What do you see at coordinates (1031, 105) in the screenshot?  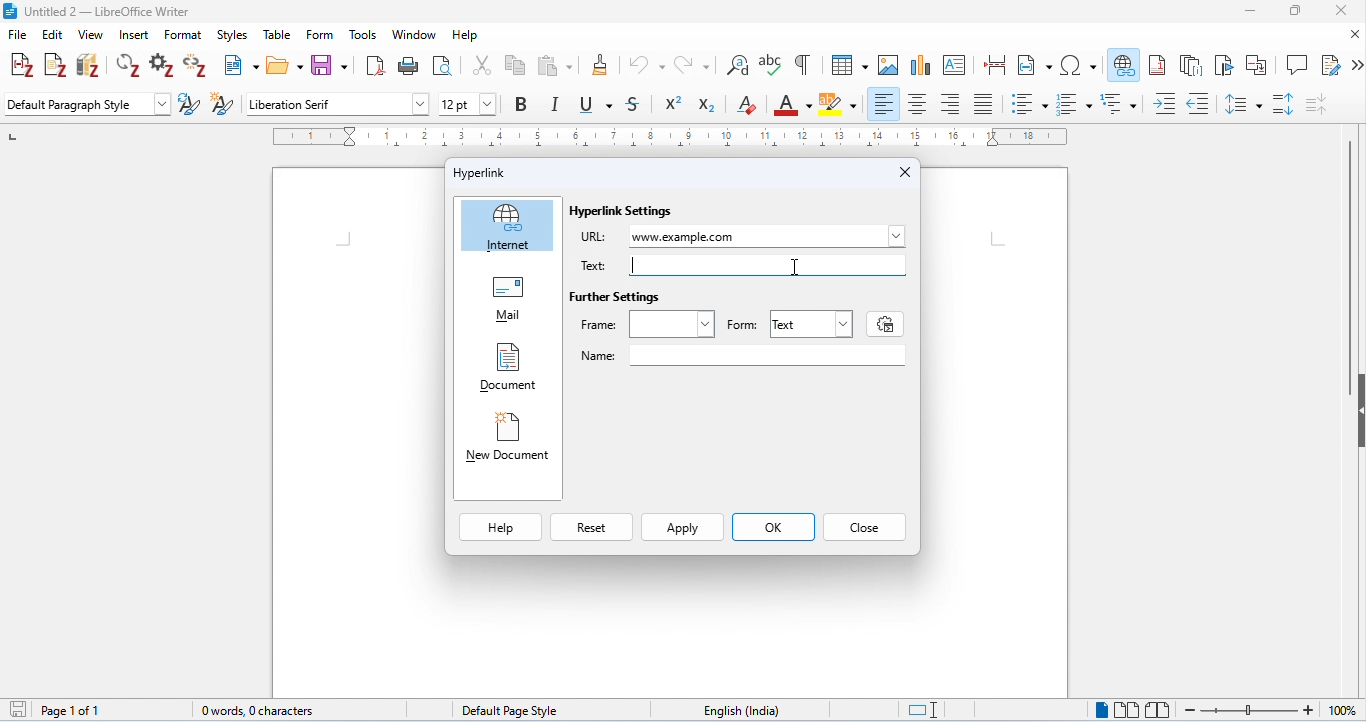 I see `bulleted style` at bounding box center [1031, 105].